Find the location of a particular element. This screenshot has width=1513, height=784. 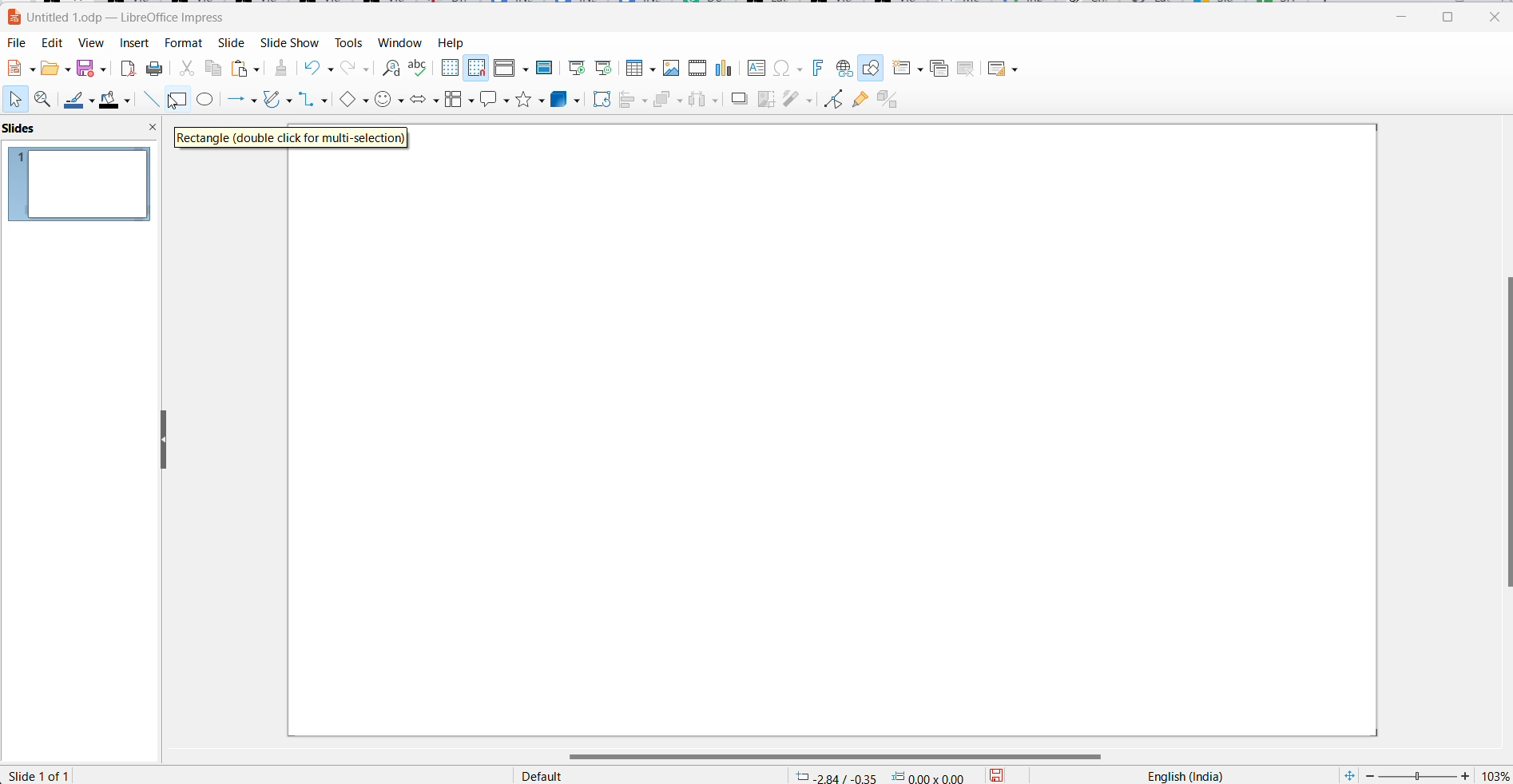

flowchart  is located at coordinates (459, 99).